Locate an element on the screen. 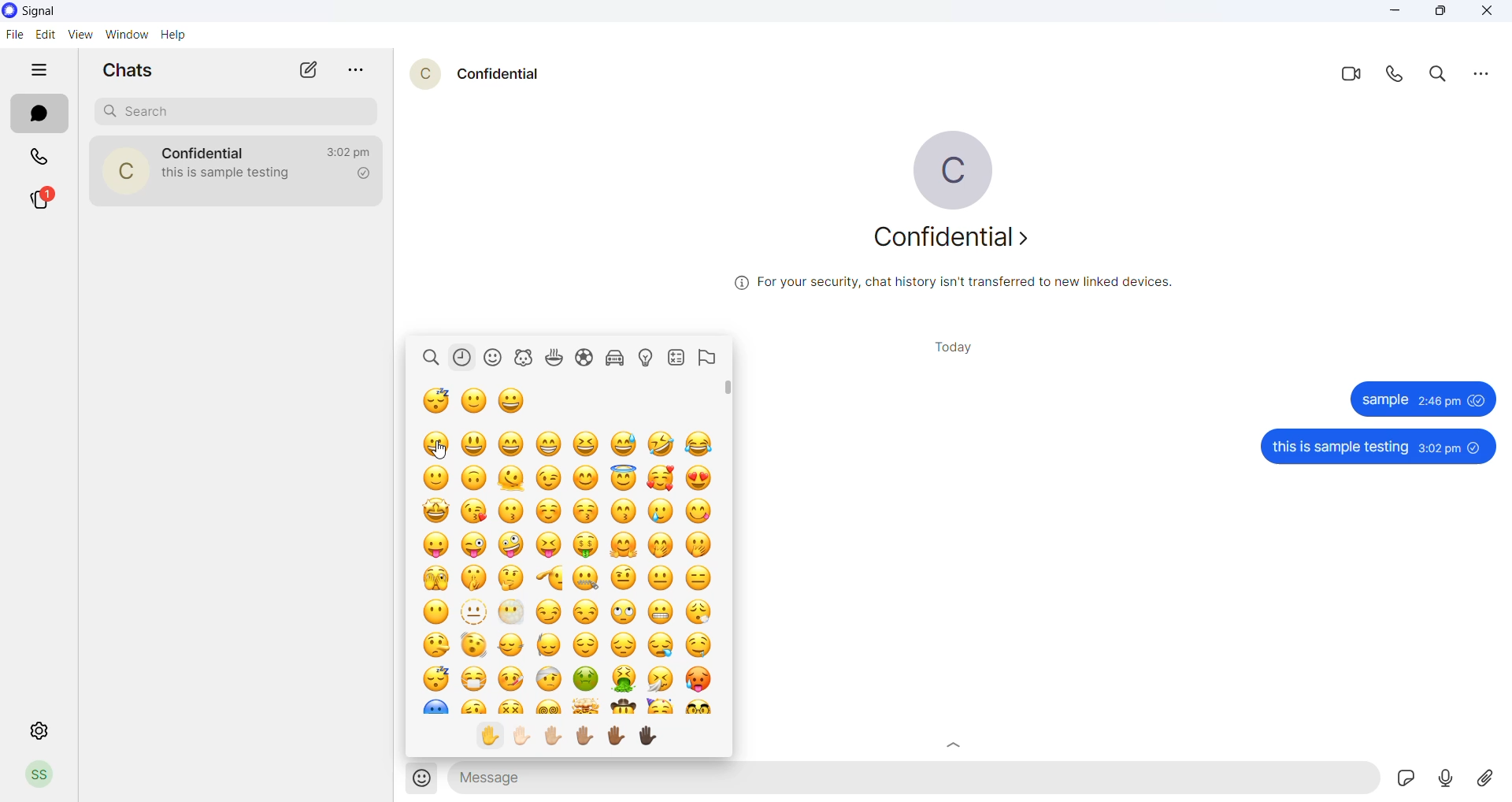 The width and height of the screenshot is (1512, 802). seen is located at coordinates (1477, 400).